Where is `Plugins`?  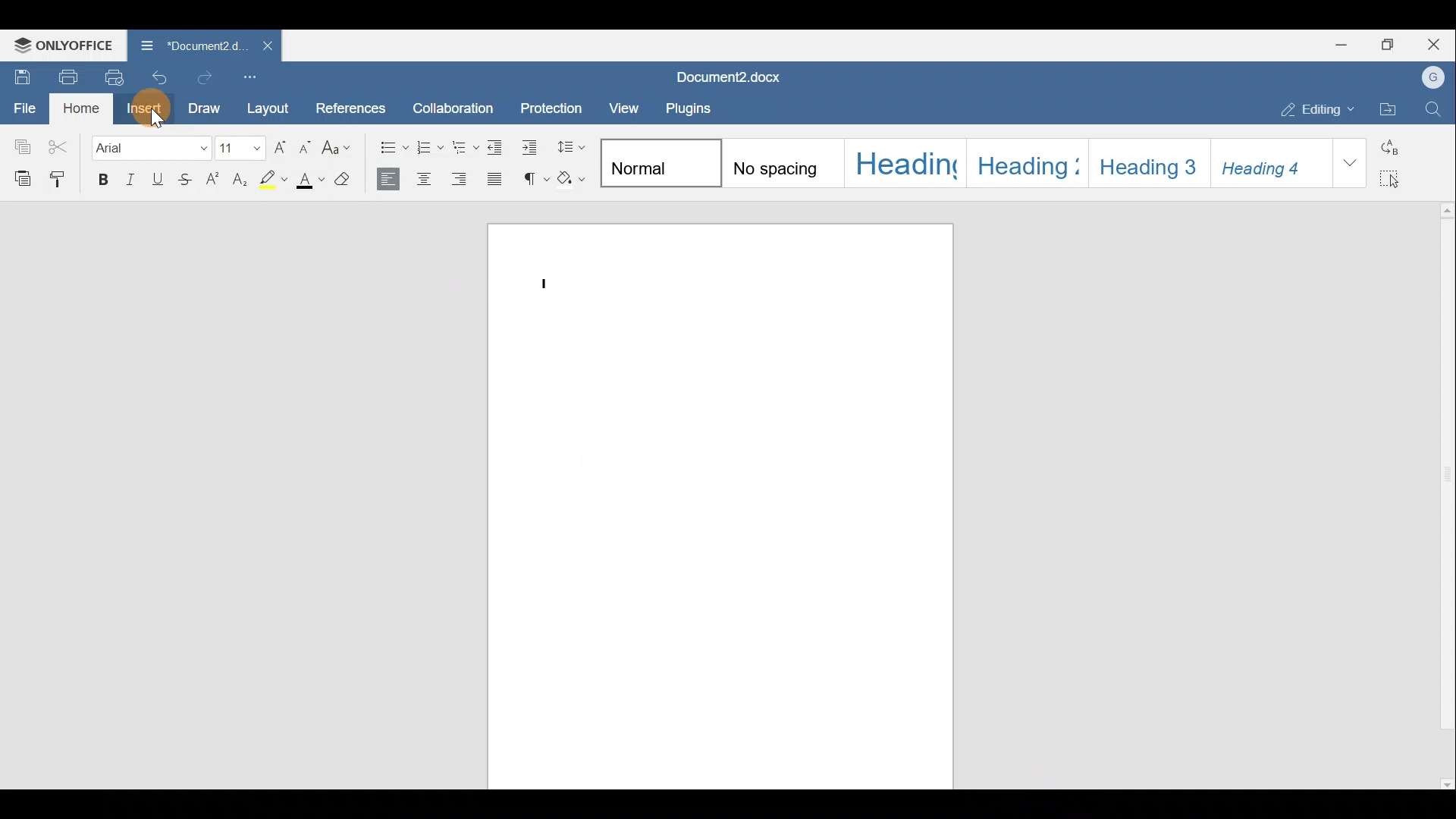 Plugins is located at coordinates (688, 108).